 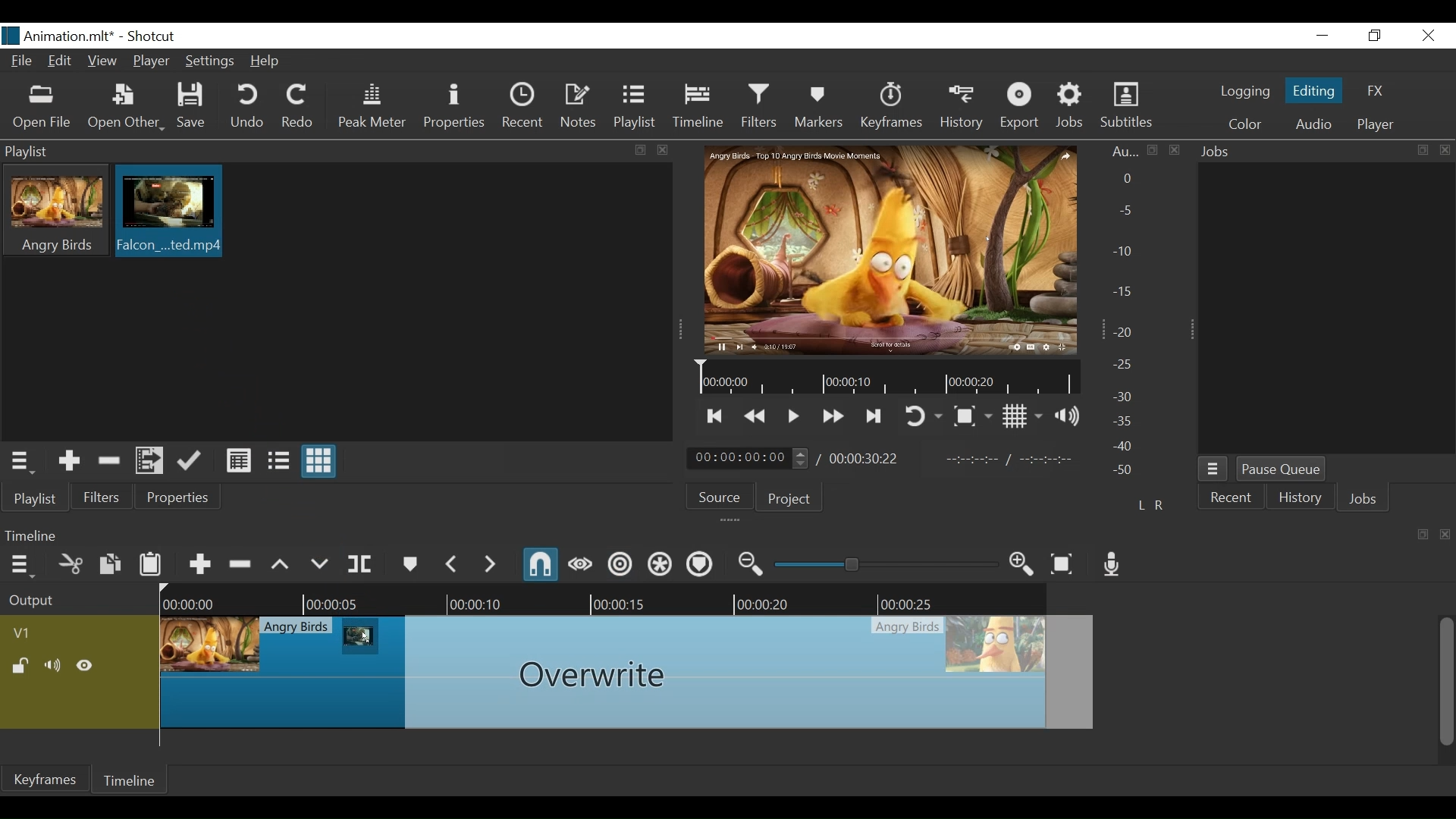 I want to click on View as File, so click(x=278, y=462).